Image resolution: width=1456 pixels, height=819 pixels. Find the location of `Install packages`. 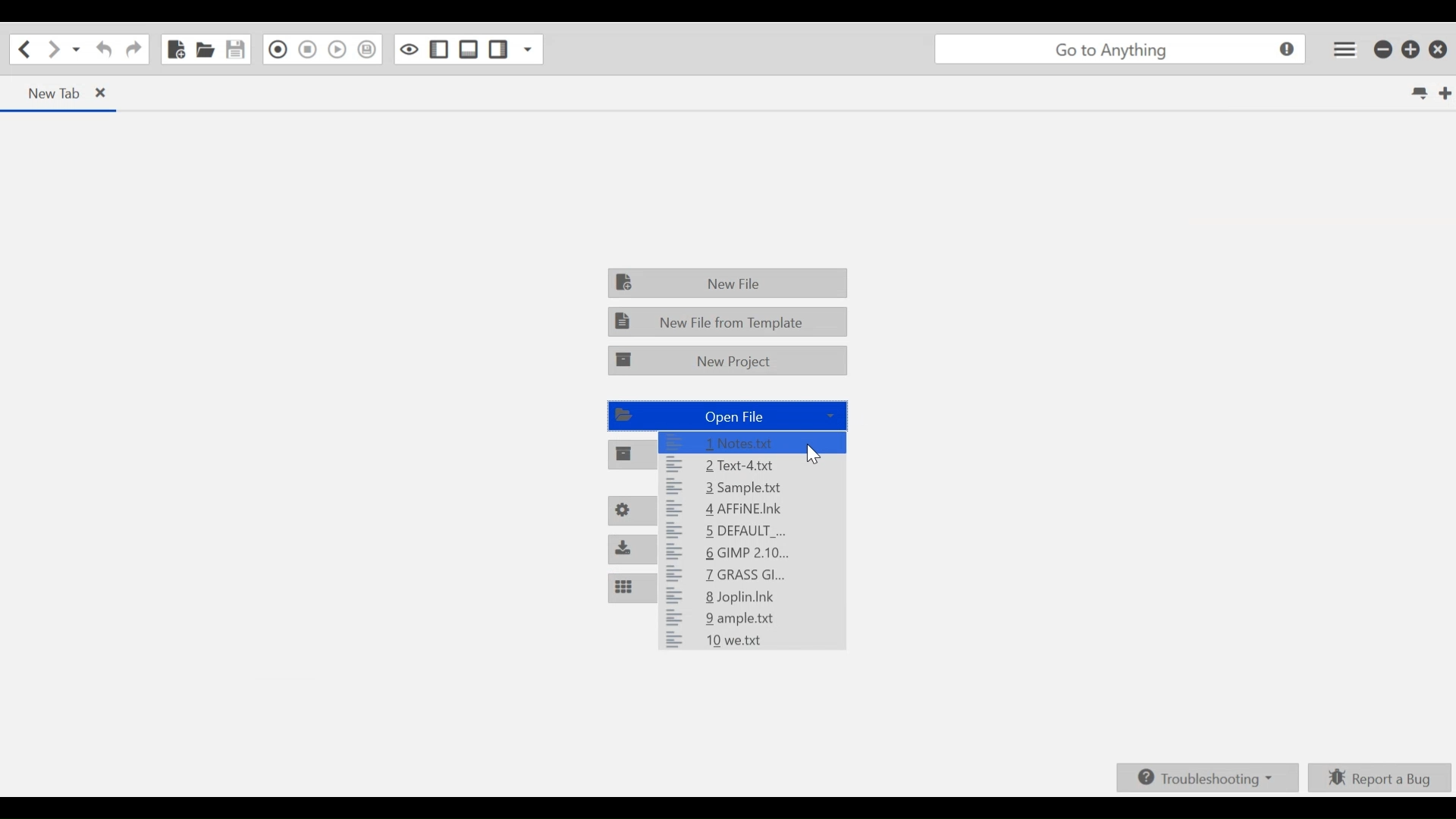

Install packages is located at coordinates (631, 551).